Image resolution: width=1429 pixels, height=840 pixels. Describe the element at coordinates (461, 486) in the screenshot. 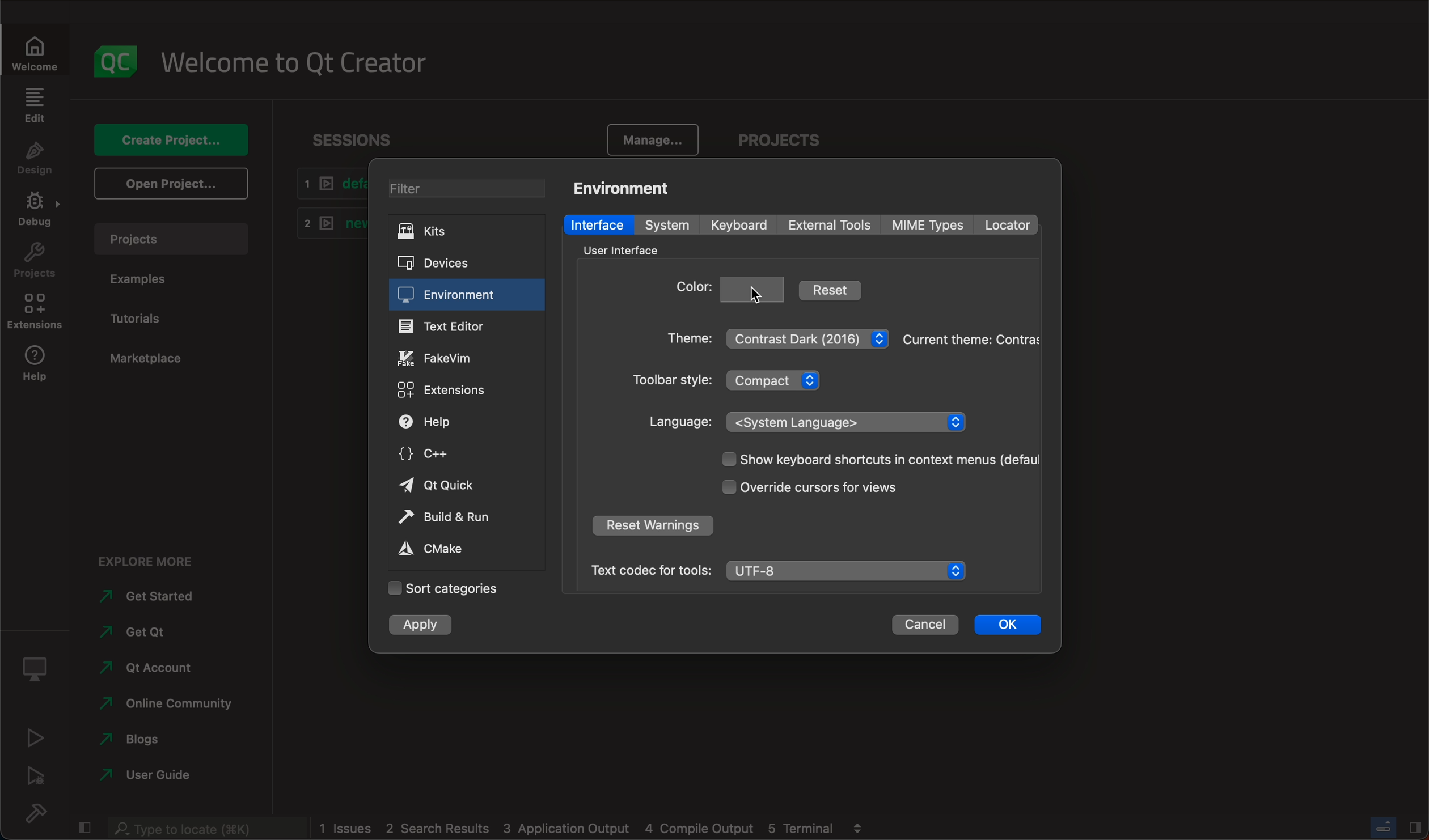

I see `qt` at that location.